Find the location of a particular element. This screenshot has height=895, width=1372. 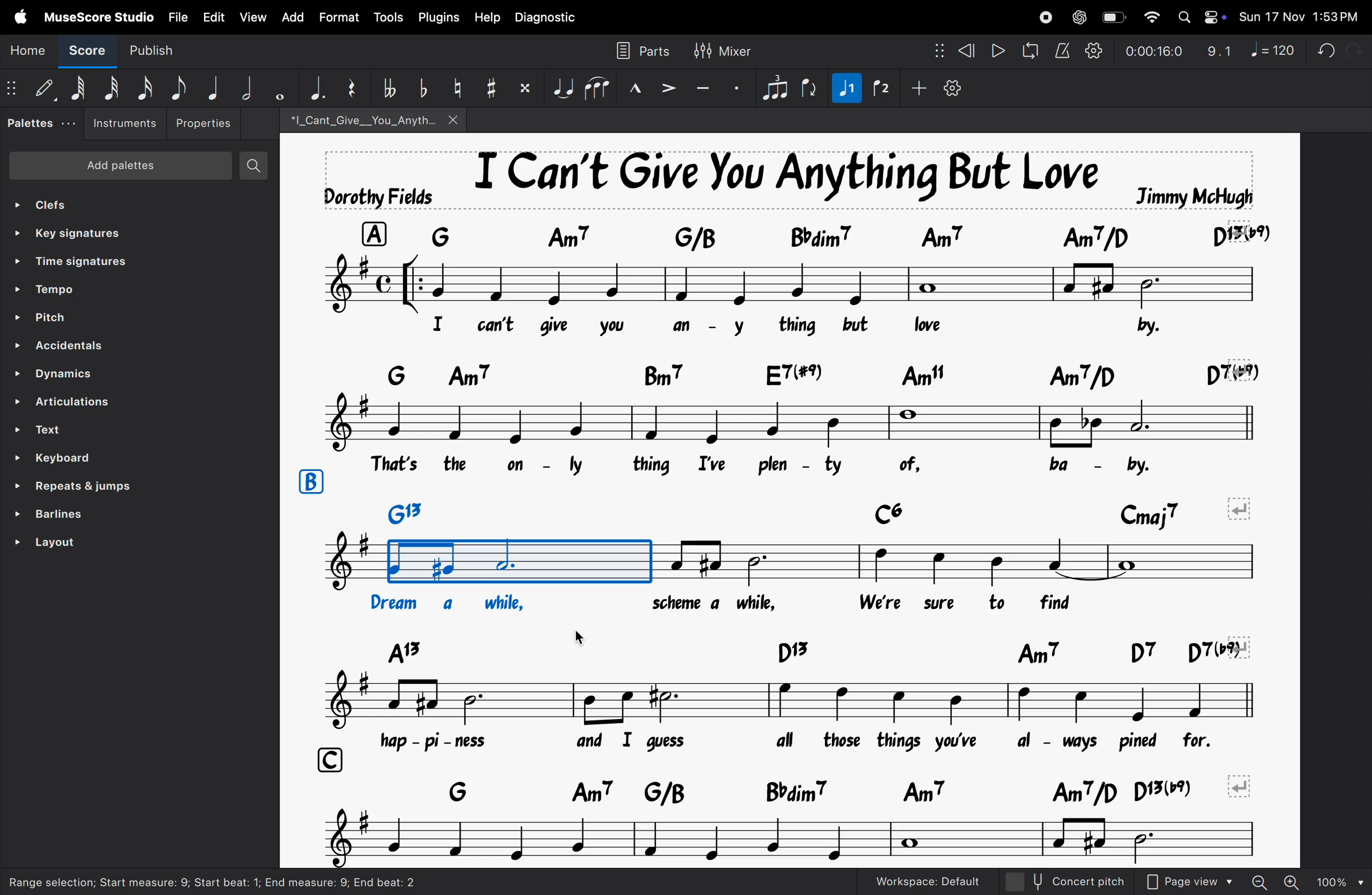

tuplet is located at coordinates (777, 86).